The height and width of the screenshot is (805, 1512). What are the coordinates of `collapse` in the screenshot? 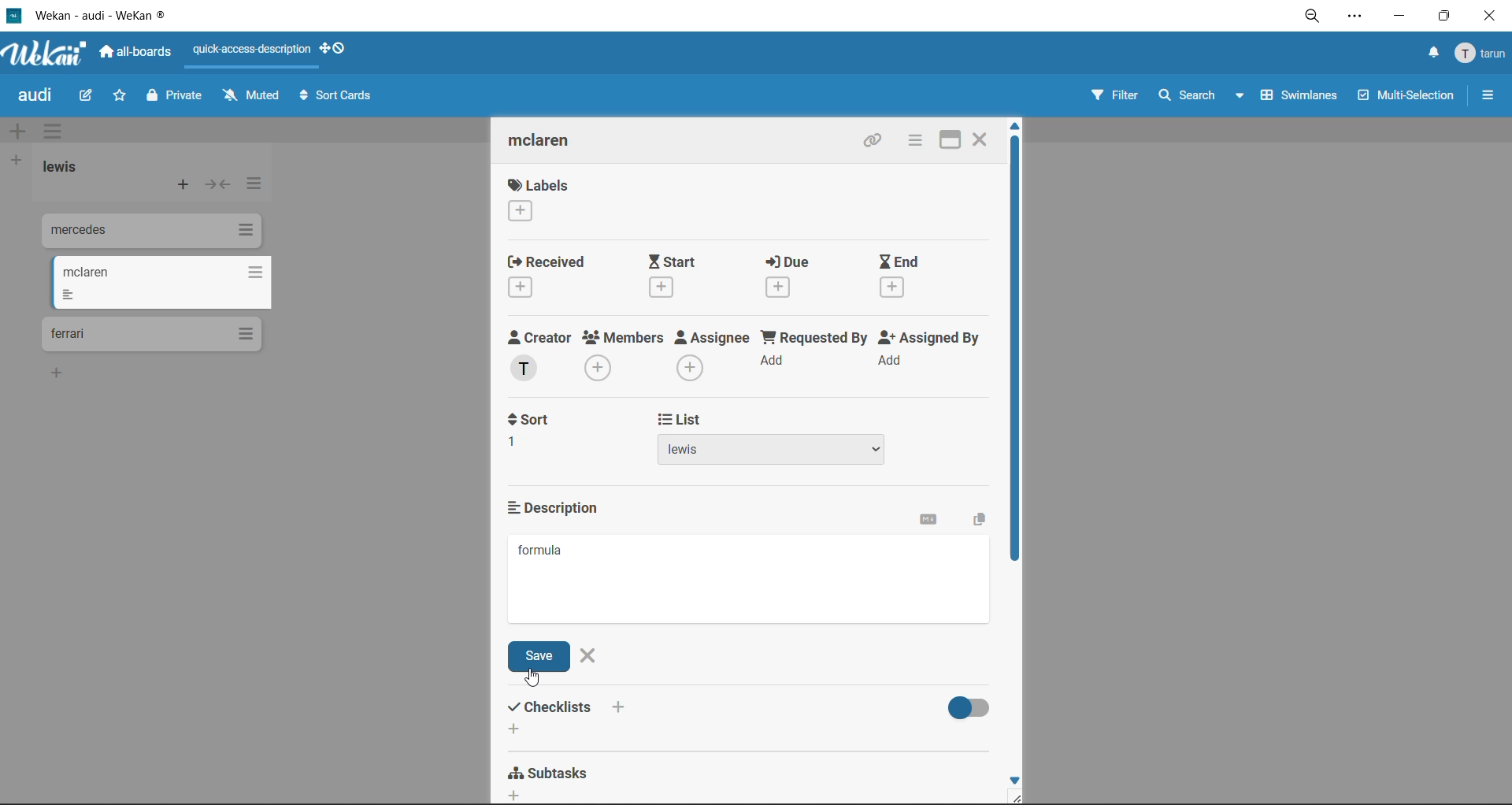 It's located at (217, 184).